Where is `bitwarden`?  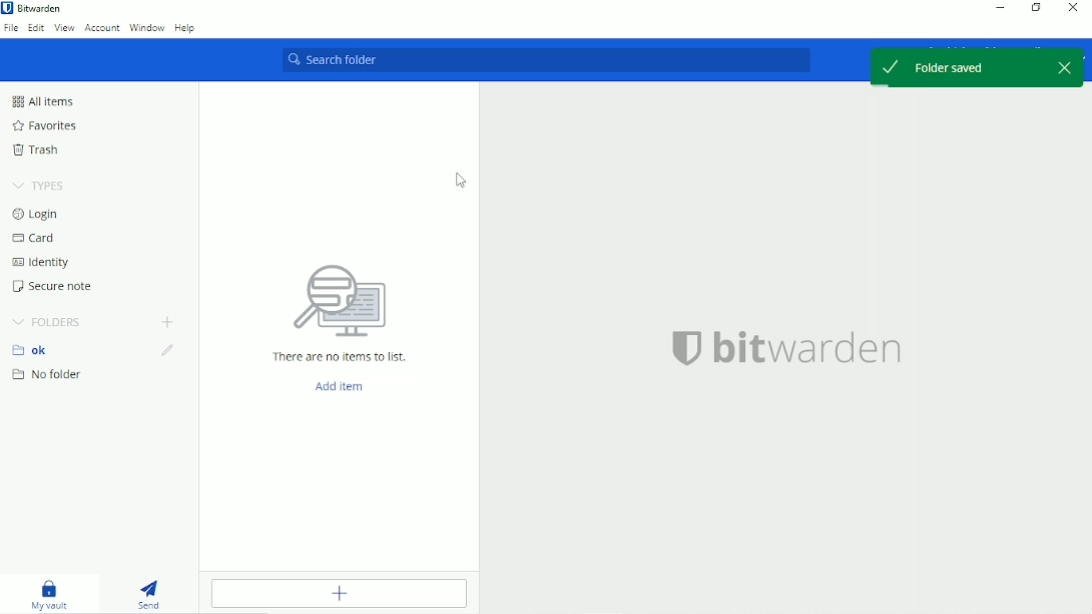 bitwarden is located at coordinates (809, 348).